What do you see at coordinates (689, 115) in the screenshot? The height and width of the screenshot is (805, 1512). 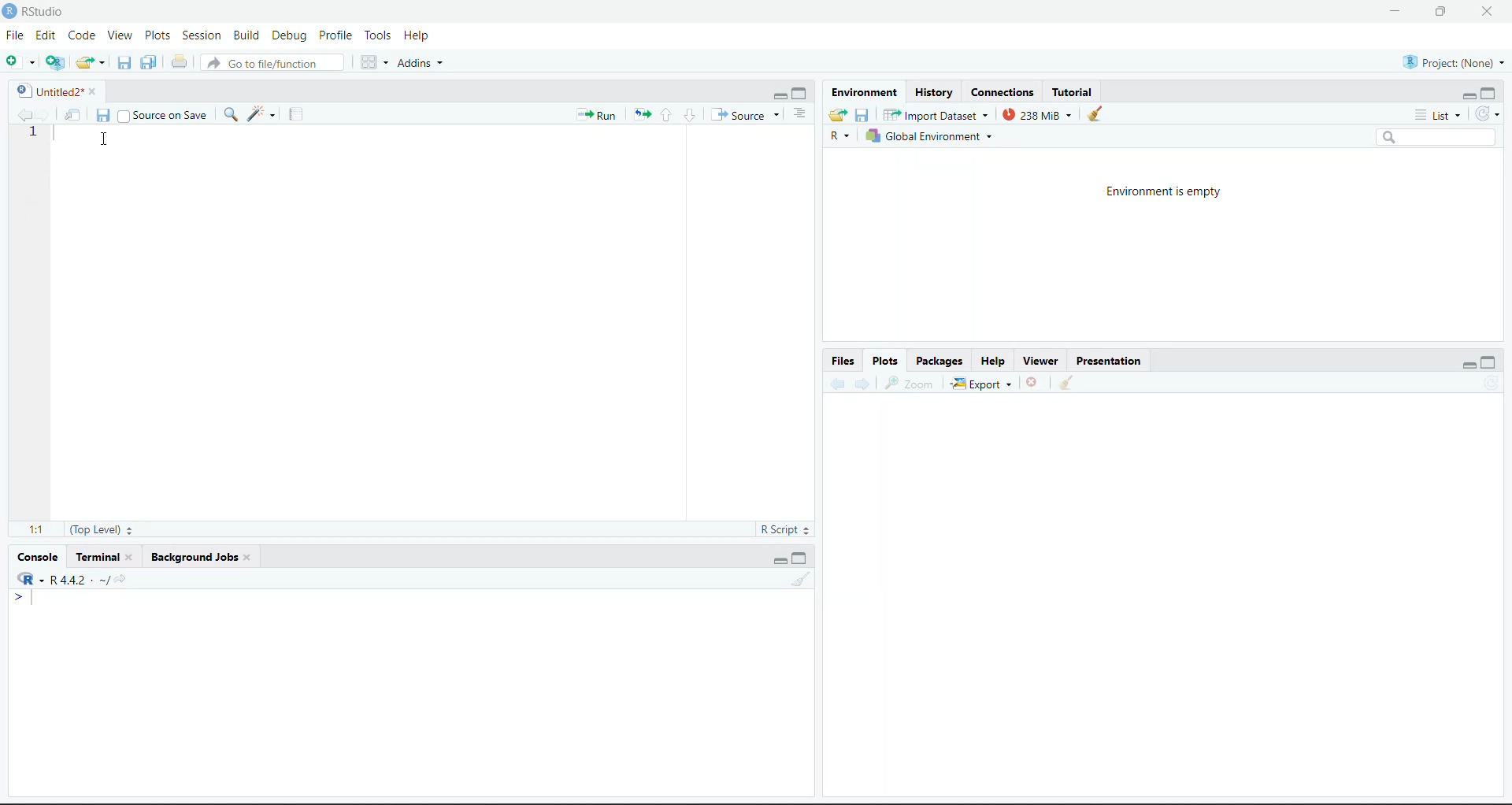 I see `down` at bounding box center [689, 115].